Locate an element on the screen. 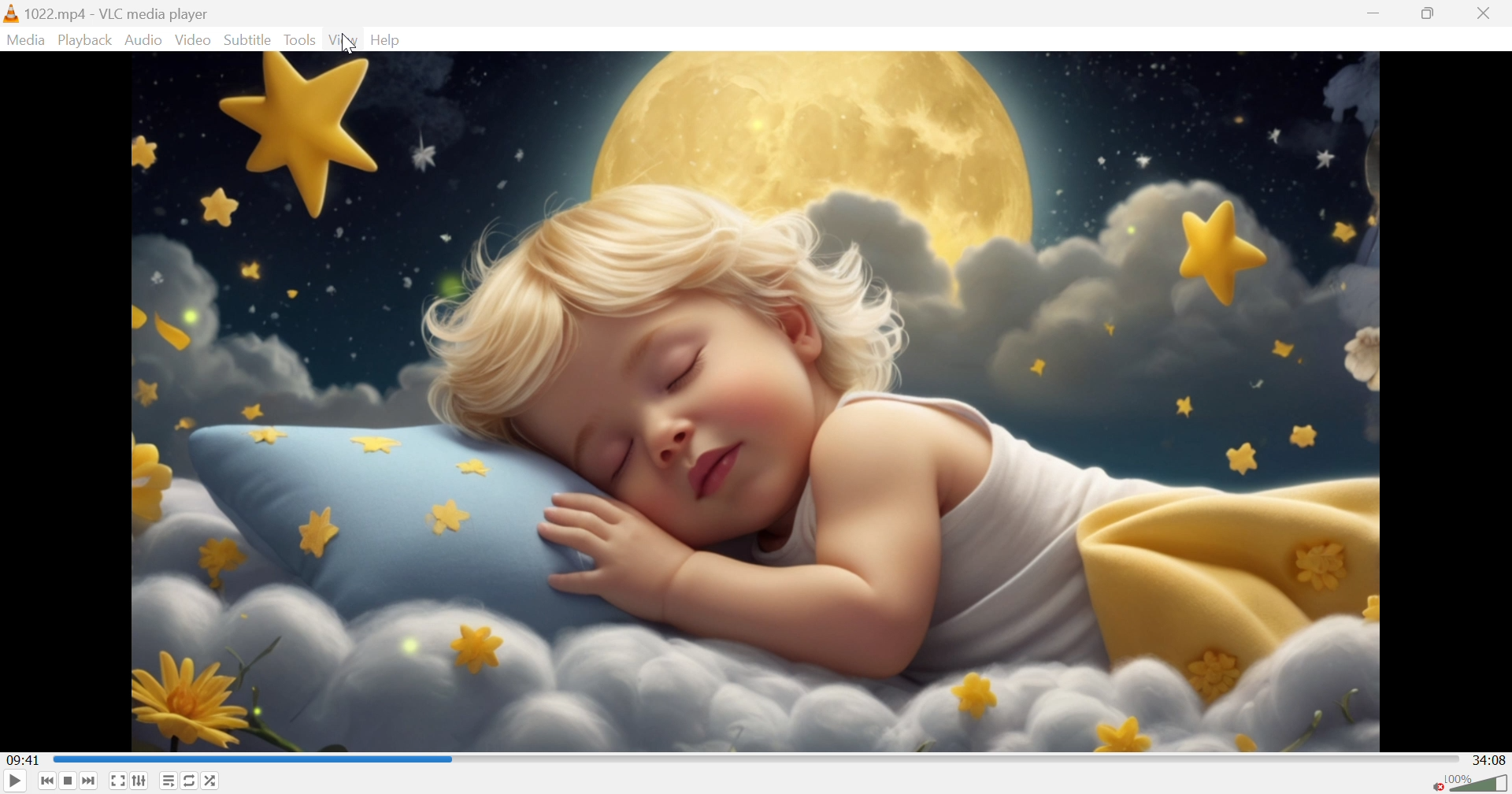 The image size is (1512, 794). Toggle playlist is located at coordinates (171, 780).